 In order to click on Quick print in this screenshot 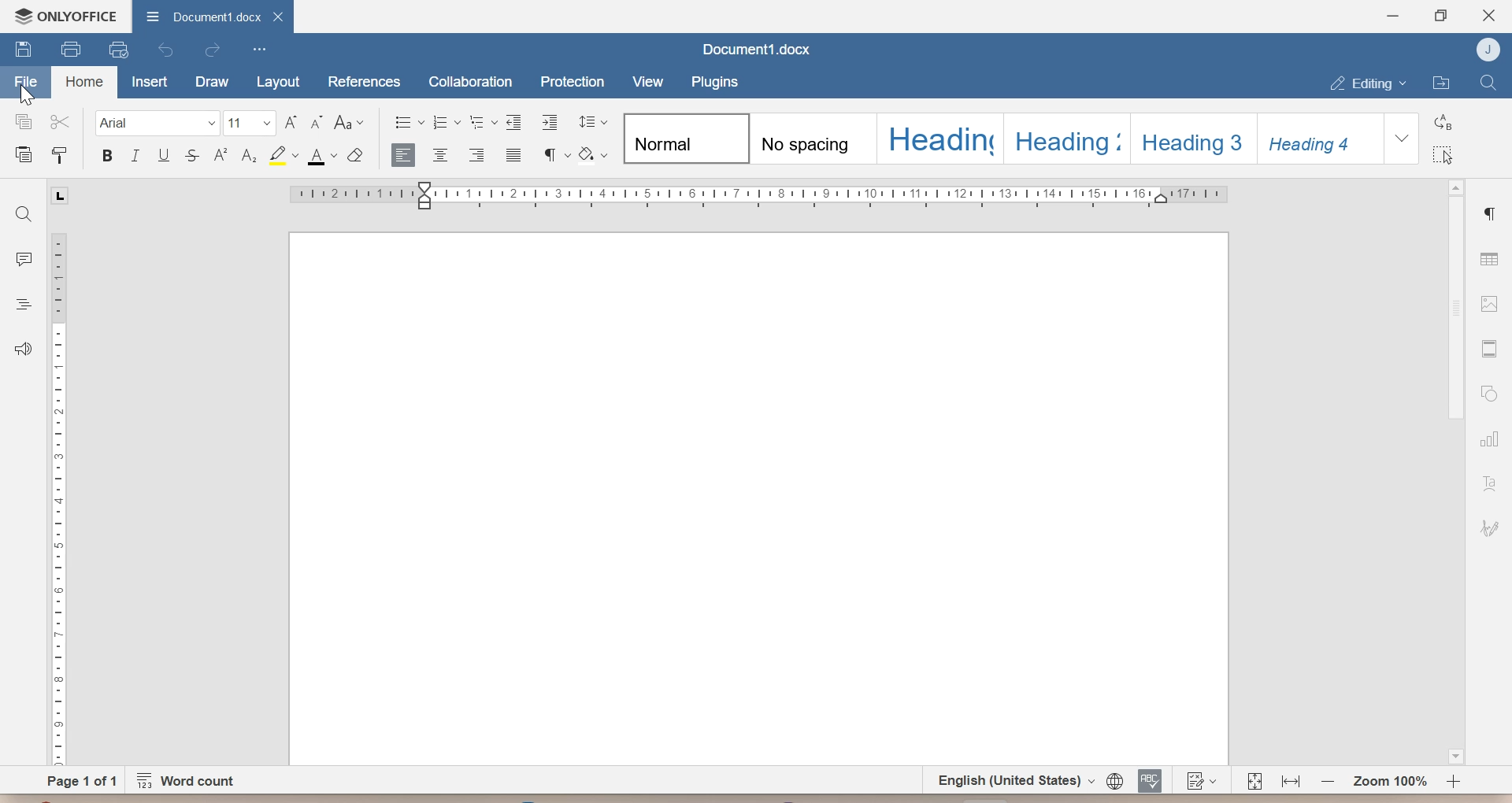, I will do `click(117, 50)`.